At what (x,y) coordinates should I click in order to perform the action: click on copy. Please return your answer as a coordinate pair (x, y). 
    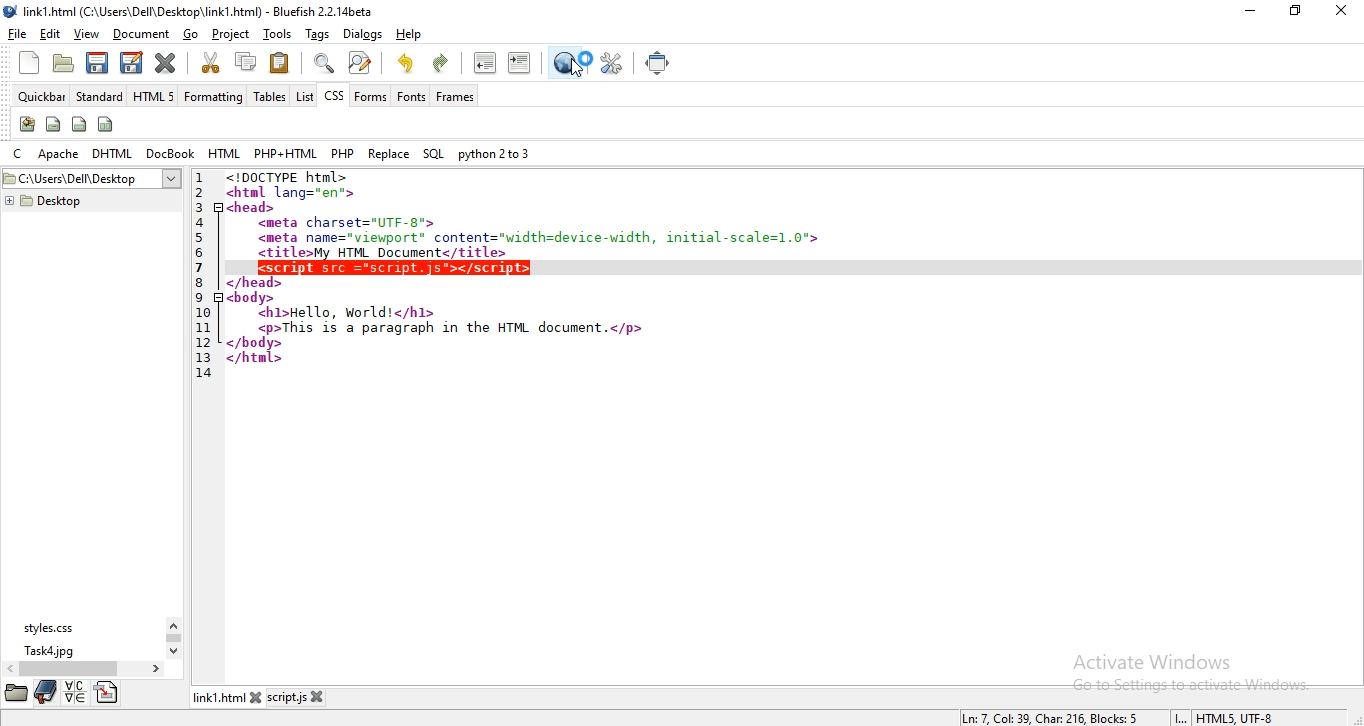
    Looking at the image, I should click on (246, 60).